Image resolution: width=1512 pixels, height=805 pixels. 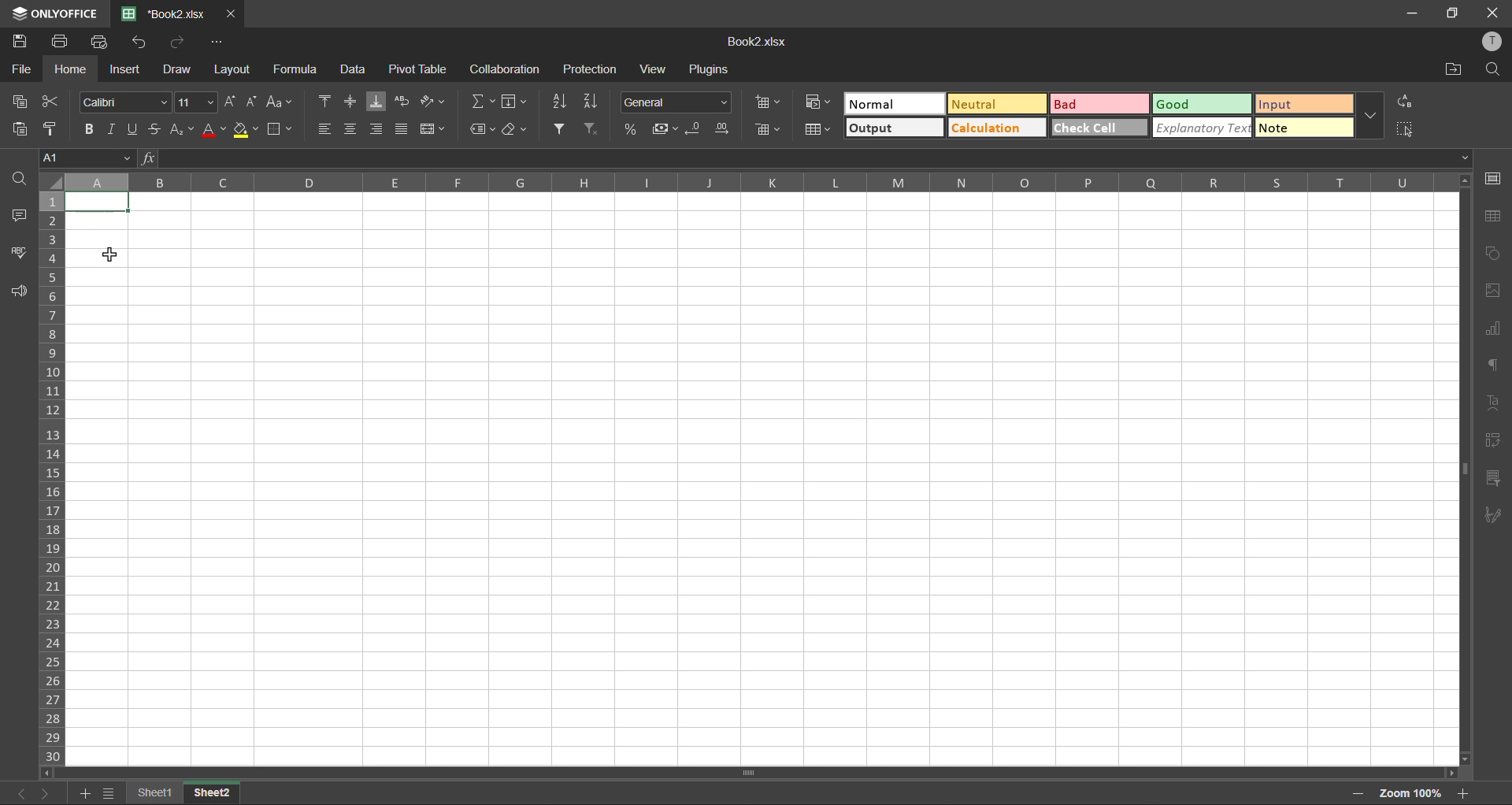 What do you see at coordinates (17, 291) in the screenshot?
I see `feedback` at bounding box center [17, 291].